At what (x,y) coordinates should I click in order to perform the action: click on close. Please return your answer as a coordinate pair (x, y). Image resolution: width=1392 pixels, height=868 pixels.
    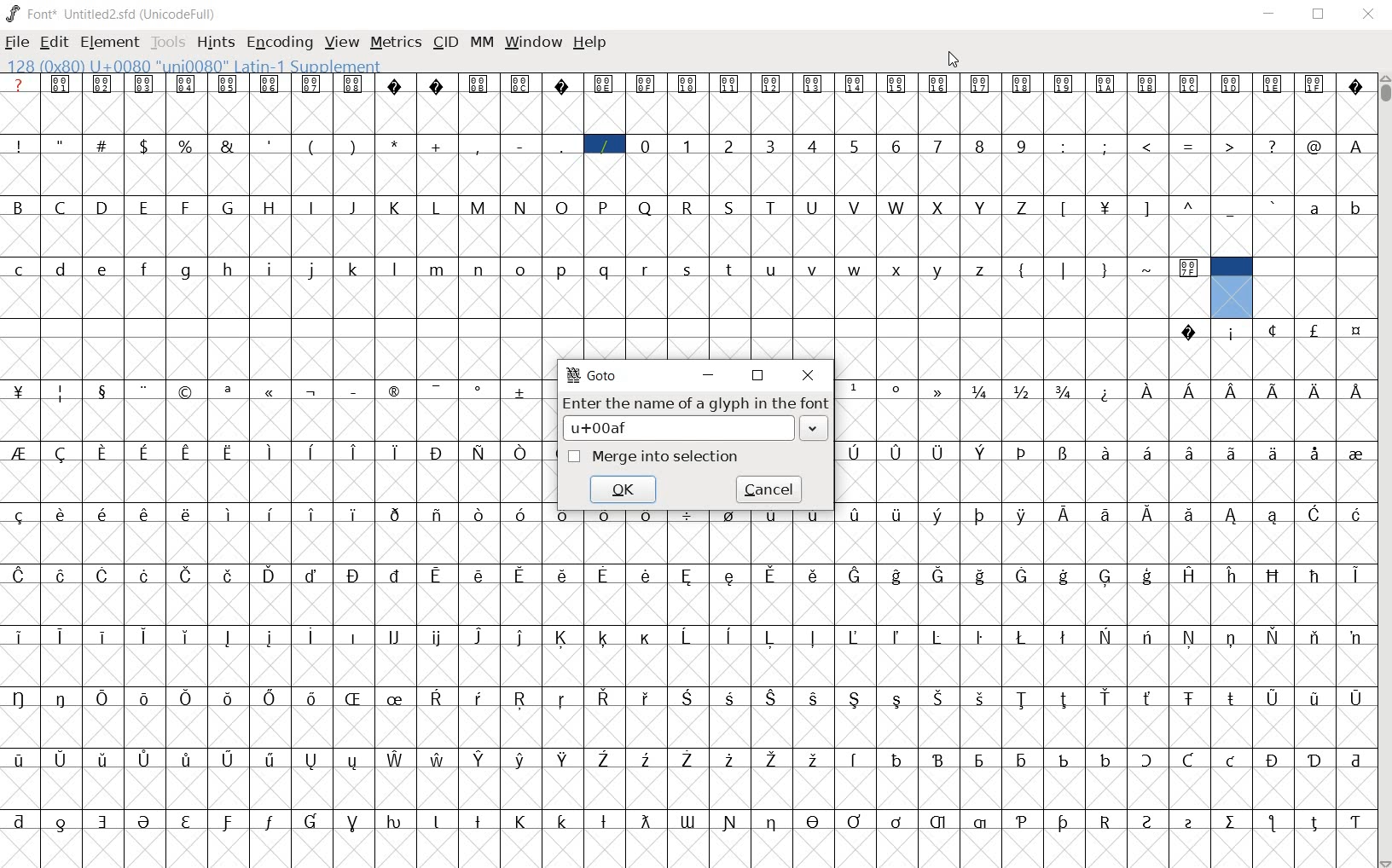
    Looking at the image, I should click on (806, 373).